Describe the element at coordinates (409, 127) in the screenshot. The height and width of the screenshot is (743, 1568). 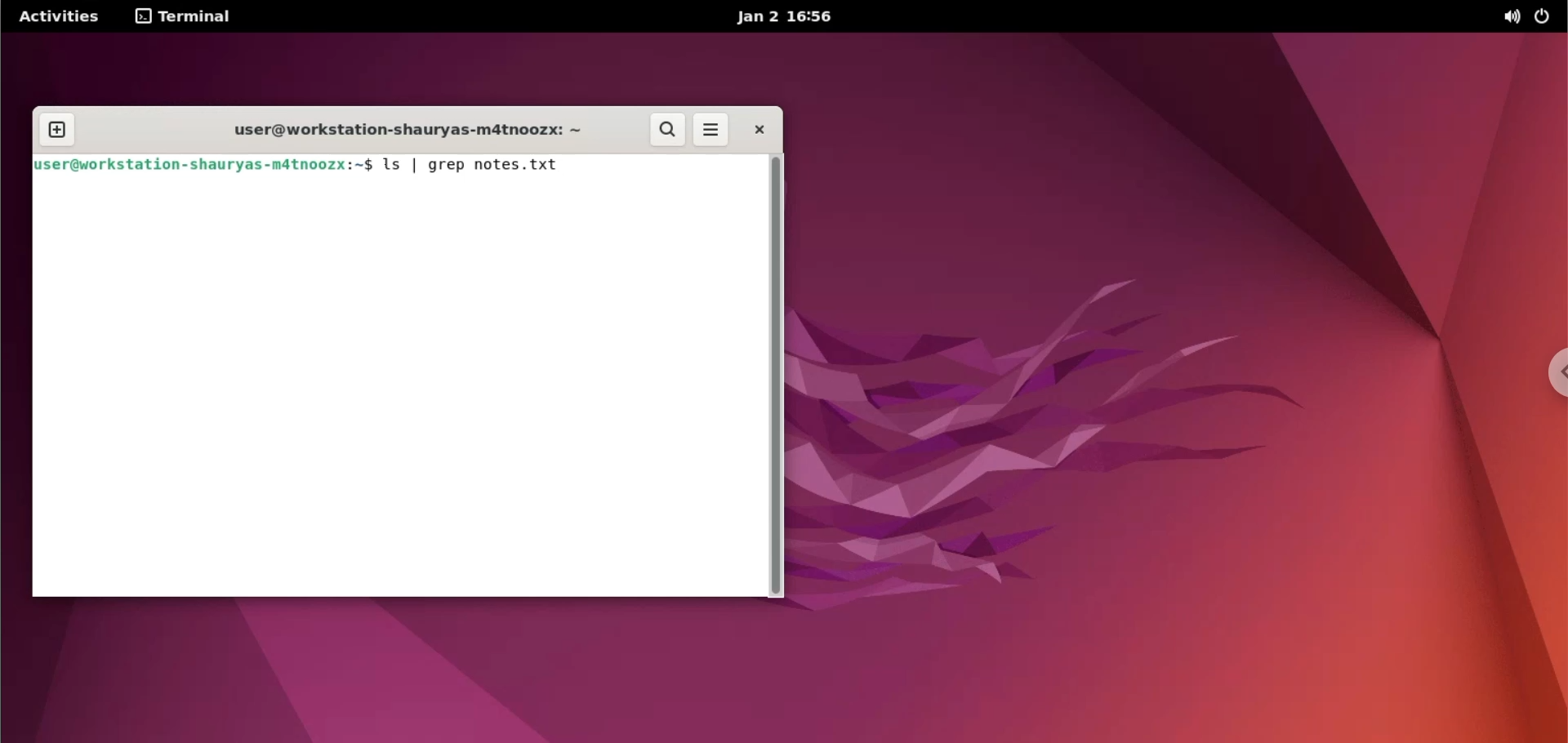
I see `user@workstation-shauryas-m4tnoozx: ~` at that location.